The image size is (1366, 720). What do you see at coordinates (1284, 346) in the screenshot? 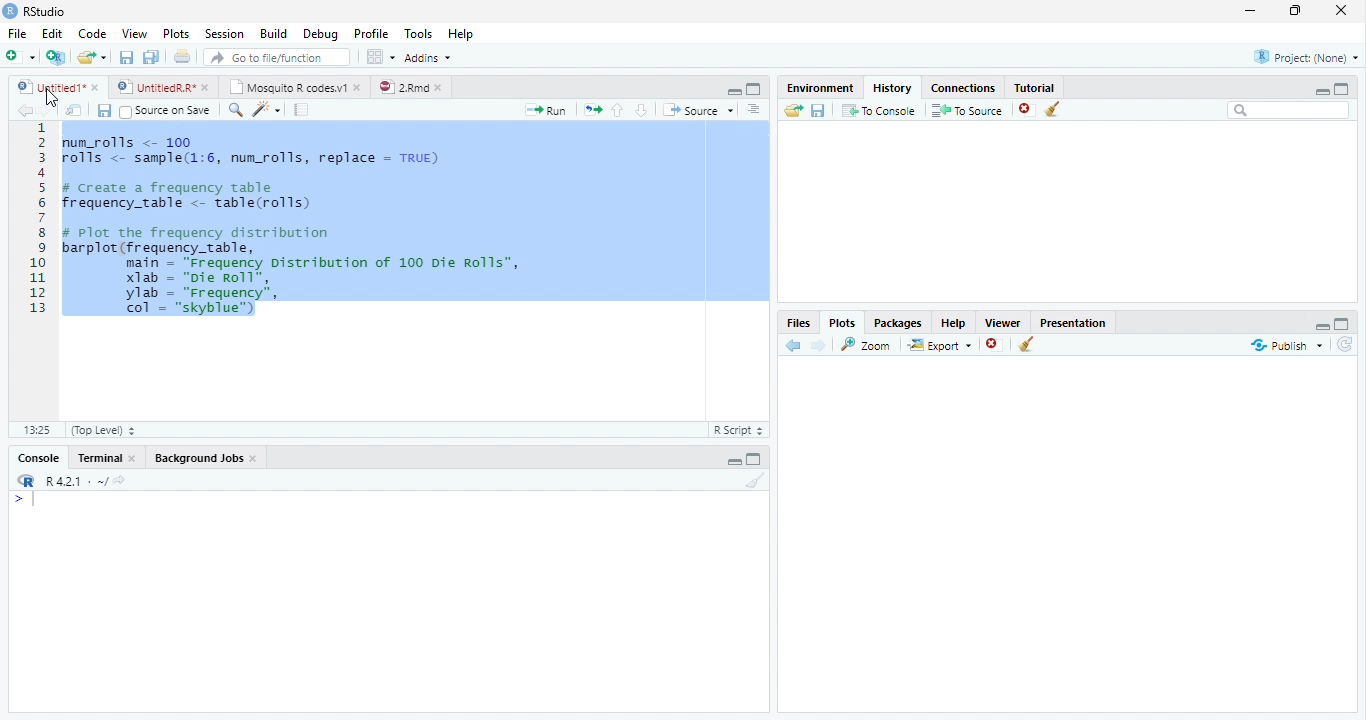
I see `Publish` at bounding box center [1284, 346].